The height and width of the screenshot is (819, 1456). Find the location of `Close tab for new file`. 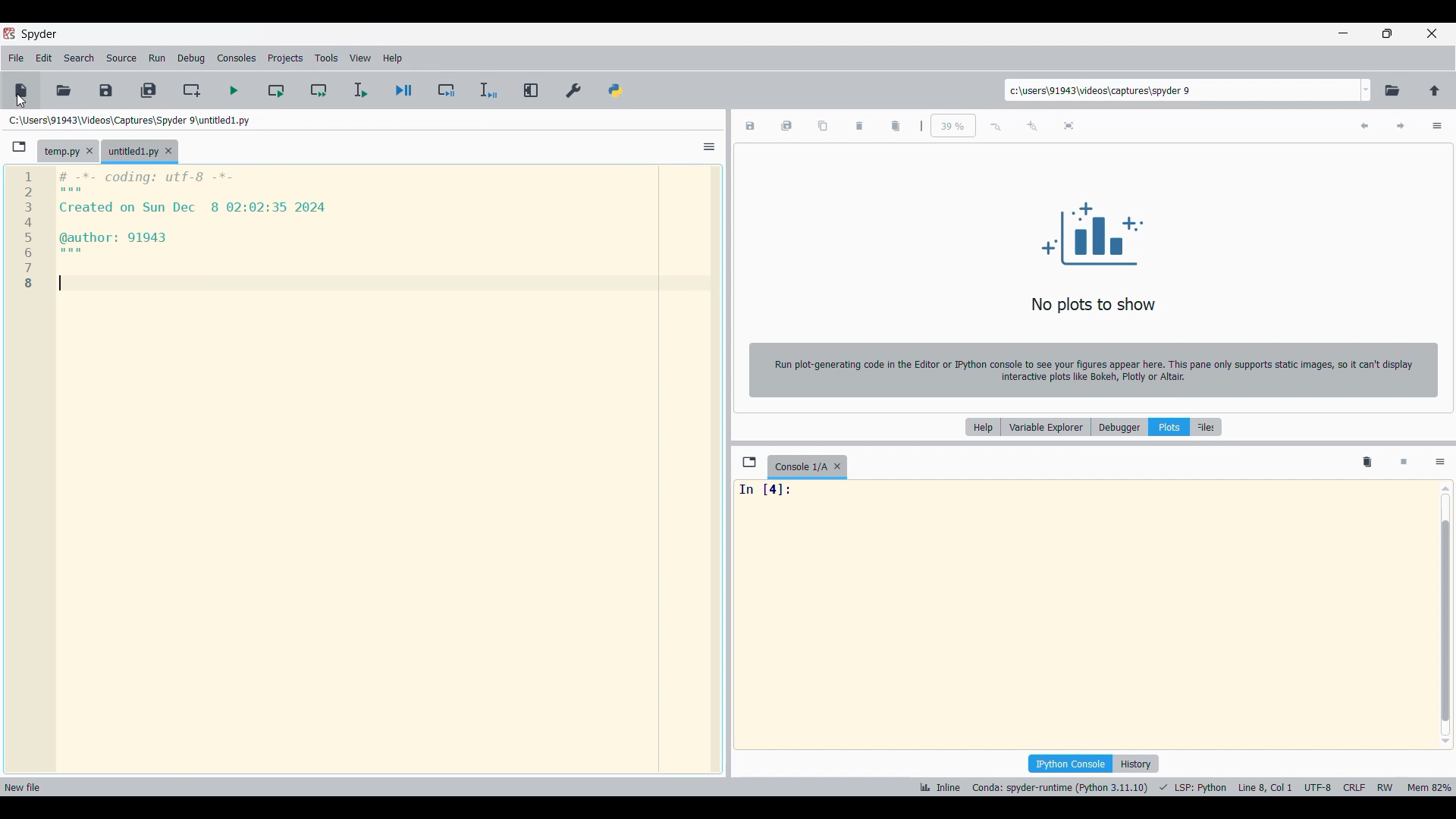

Close tab for new file is located at coordinates (168, 151).